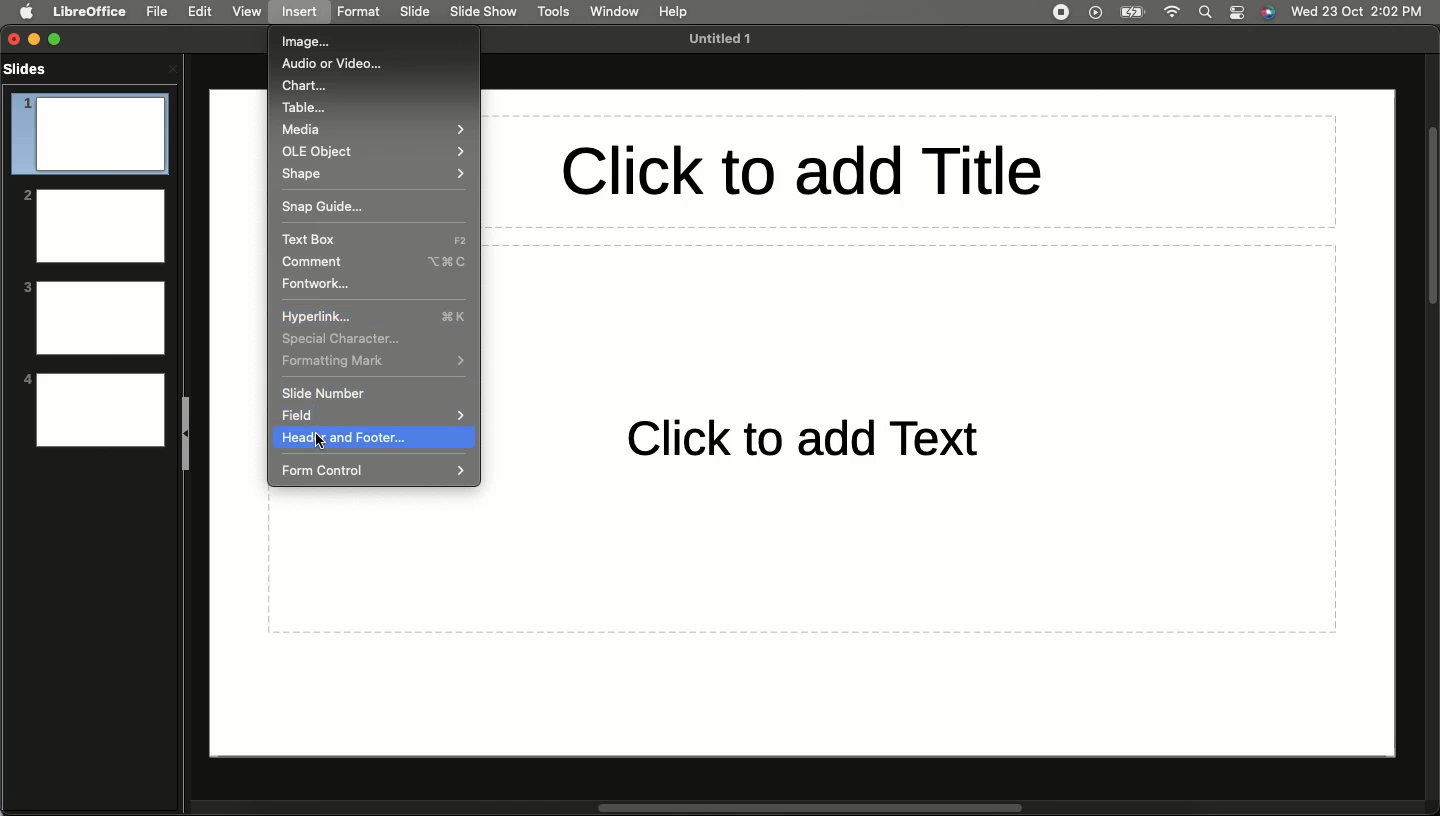 This screenshot has height=816, width=1440. Describe the element at coordinates (1361, 10) in the screenshot. I see `Date/time` at that location.